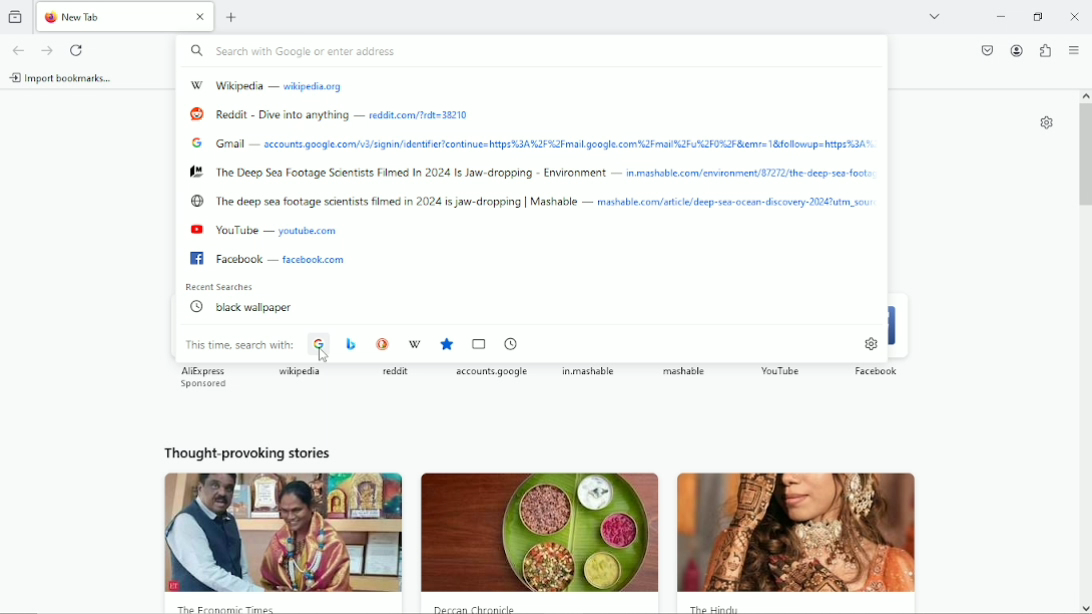  Describe the element at coordinates (319, 347) in the screenshot. I see `google` at that location.